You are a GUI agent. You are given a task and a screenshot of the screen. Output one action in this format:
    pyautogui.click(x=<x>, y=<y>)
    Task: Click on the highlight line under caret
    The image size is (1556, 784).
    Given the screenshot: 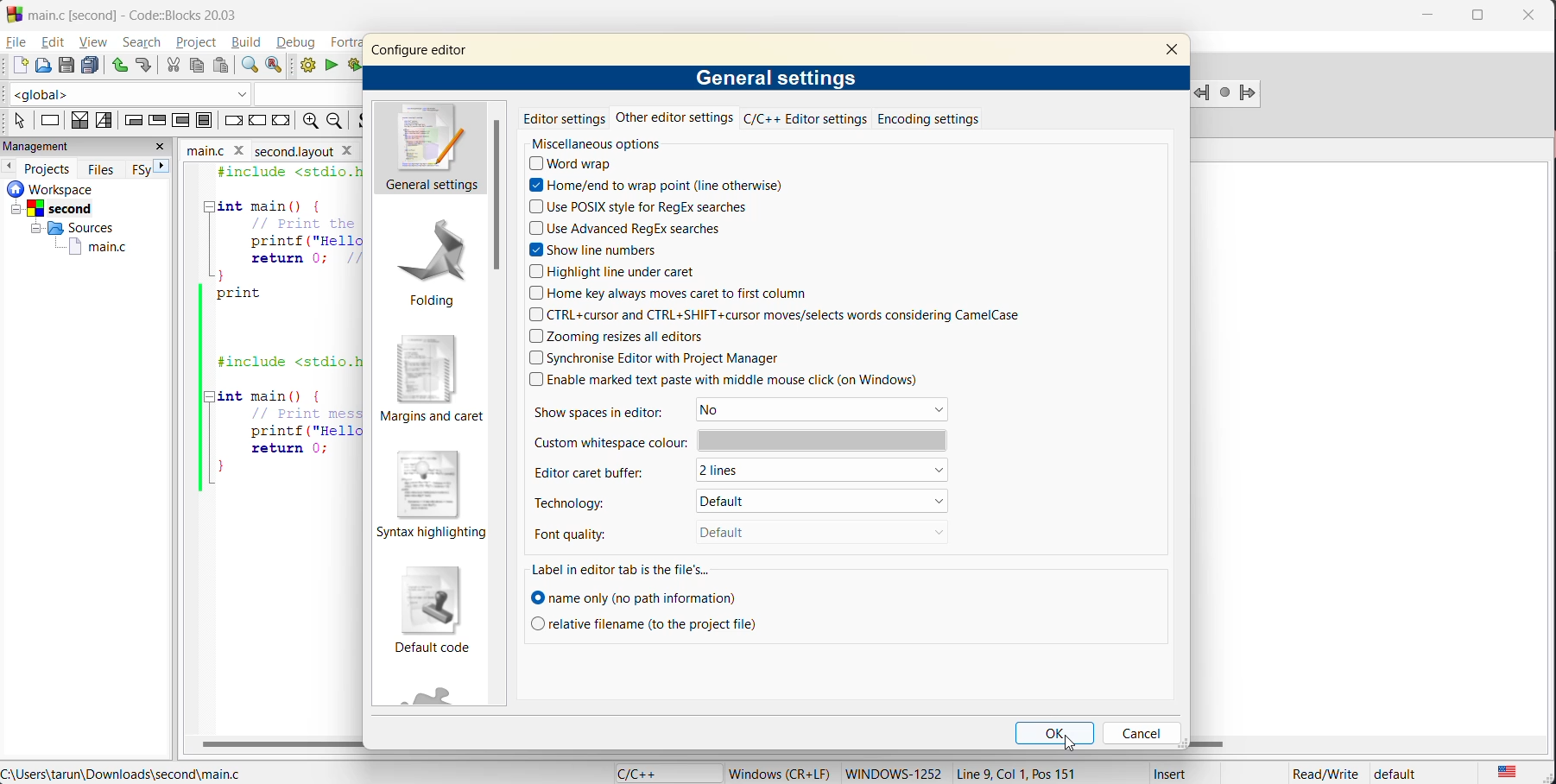 What is the action you would take?
    pyautogui.click(x=615, y=271)
    